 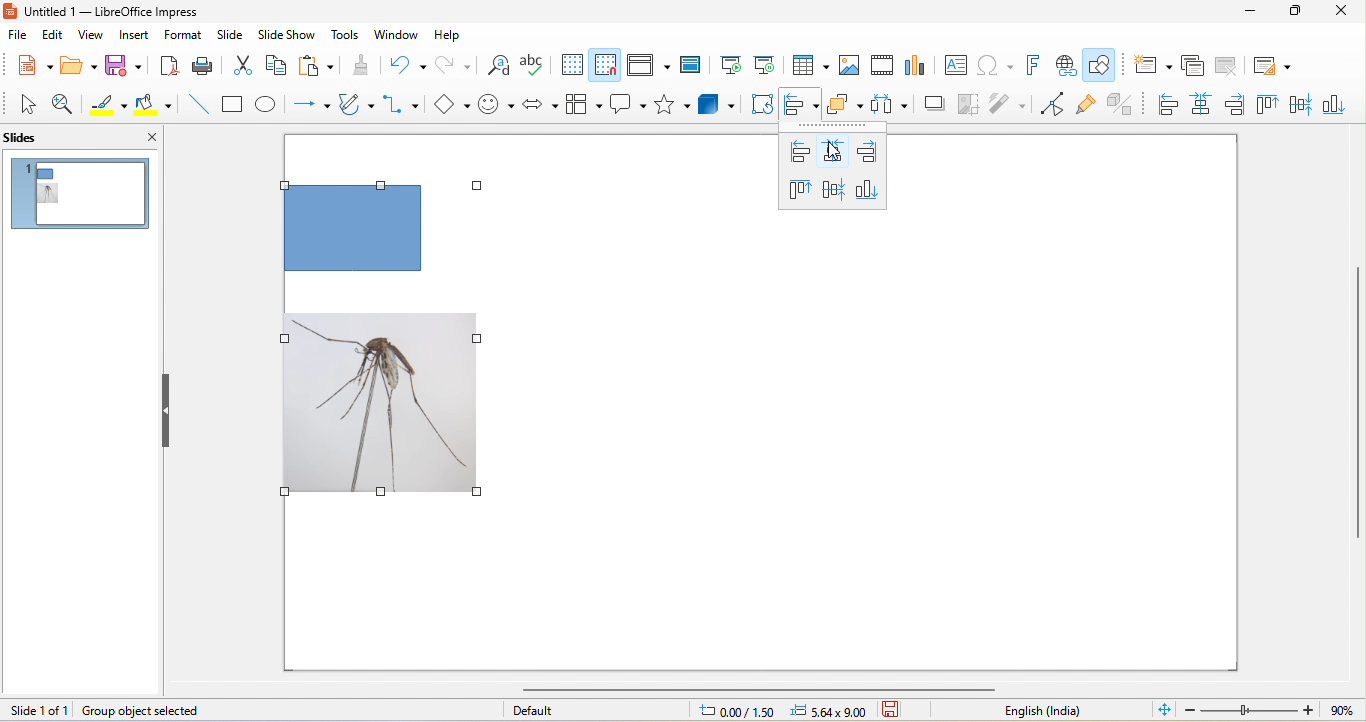 I want to click on tools, so click(x=347, y=37).